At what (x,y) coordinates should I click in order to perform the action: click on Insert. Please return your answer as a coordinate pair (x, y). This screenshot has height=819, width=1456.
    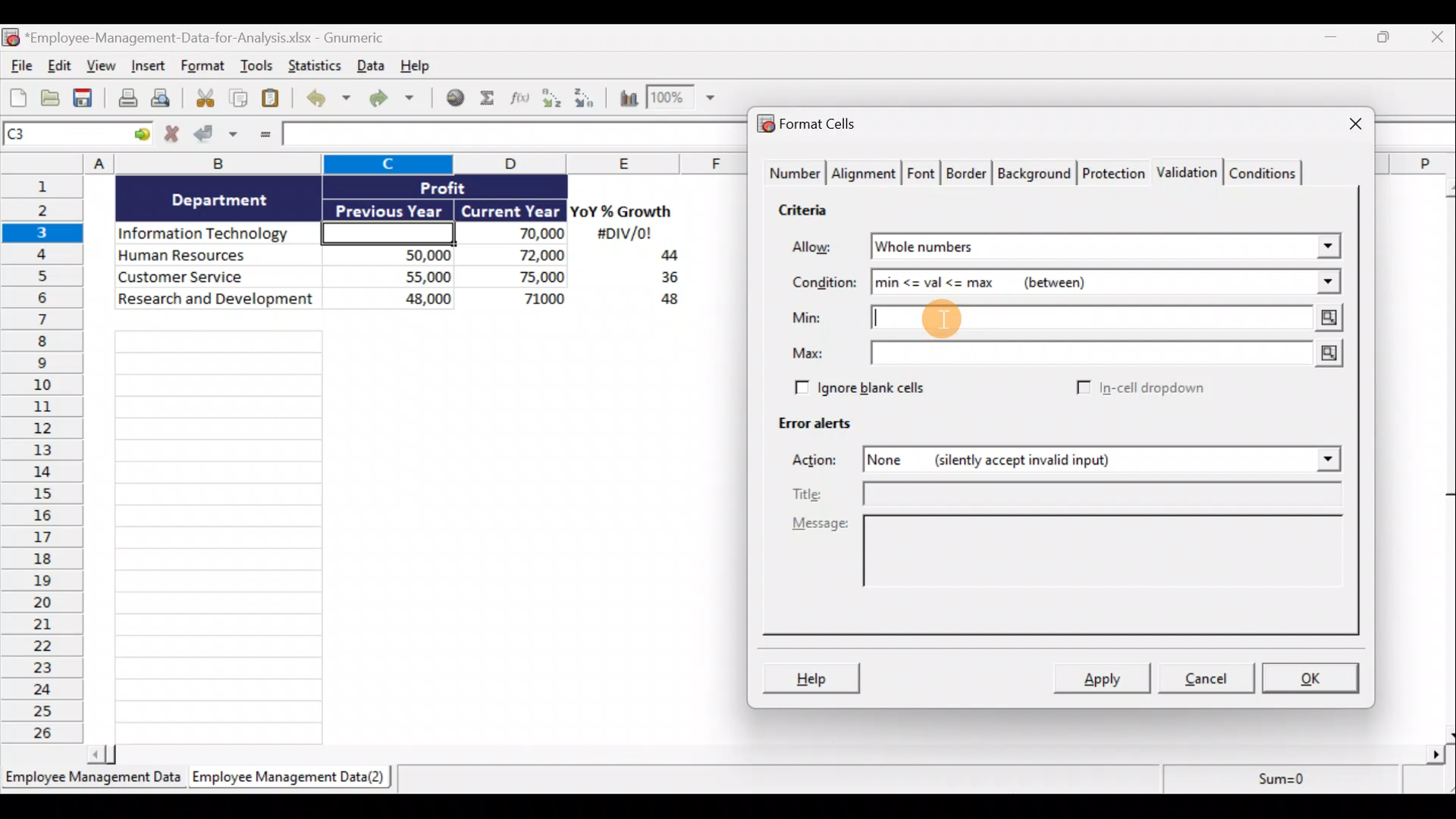
    Looking at the image, I should click on (151, 69).